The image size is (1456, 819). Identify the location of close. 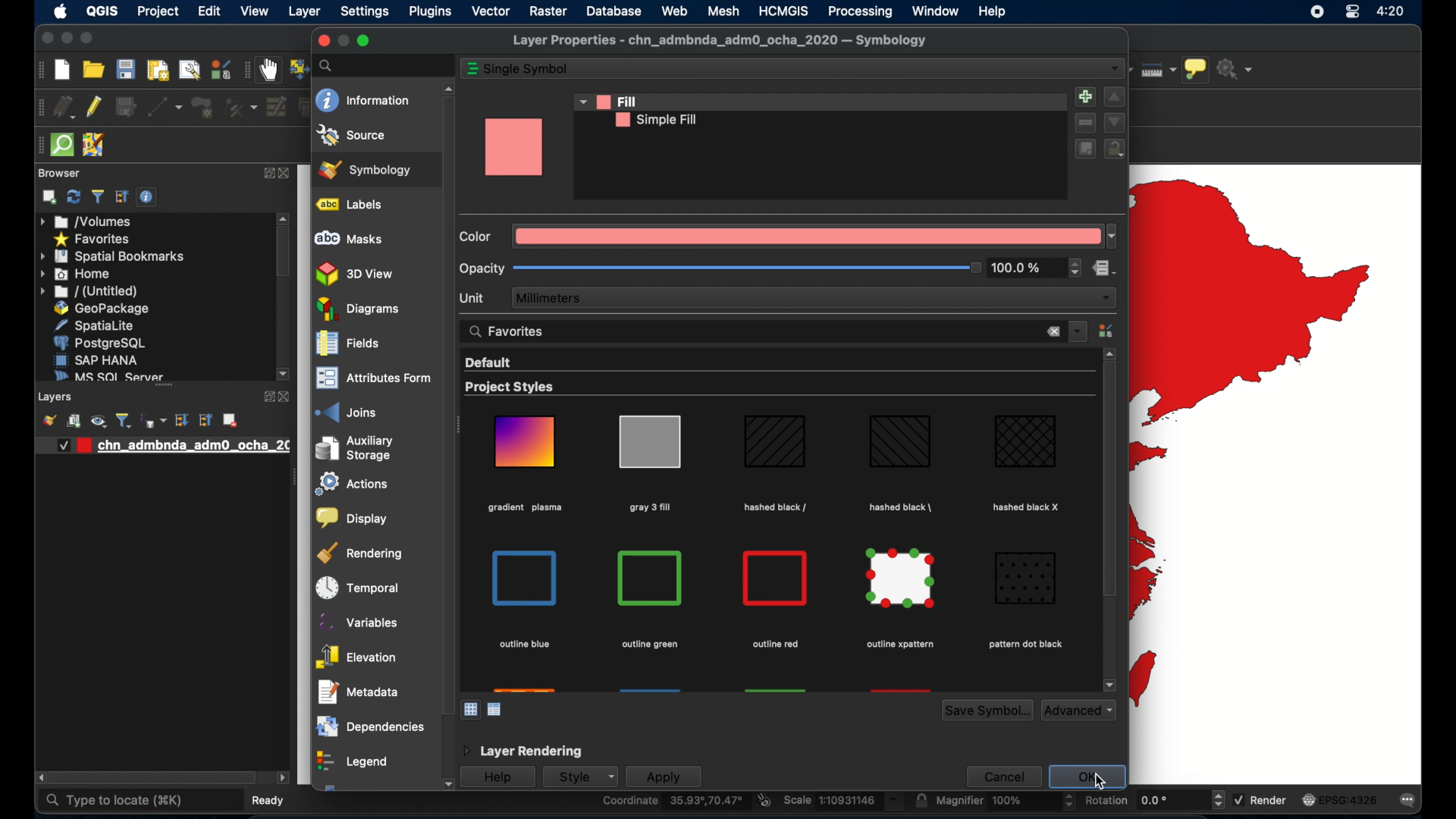
(321, 41).